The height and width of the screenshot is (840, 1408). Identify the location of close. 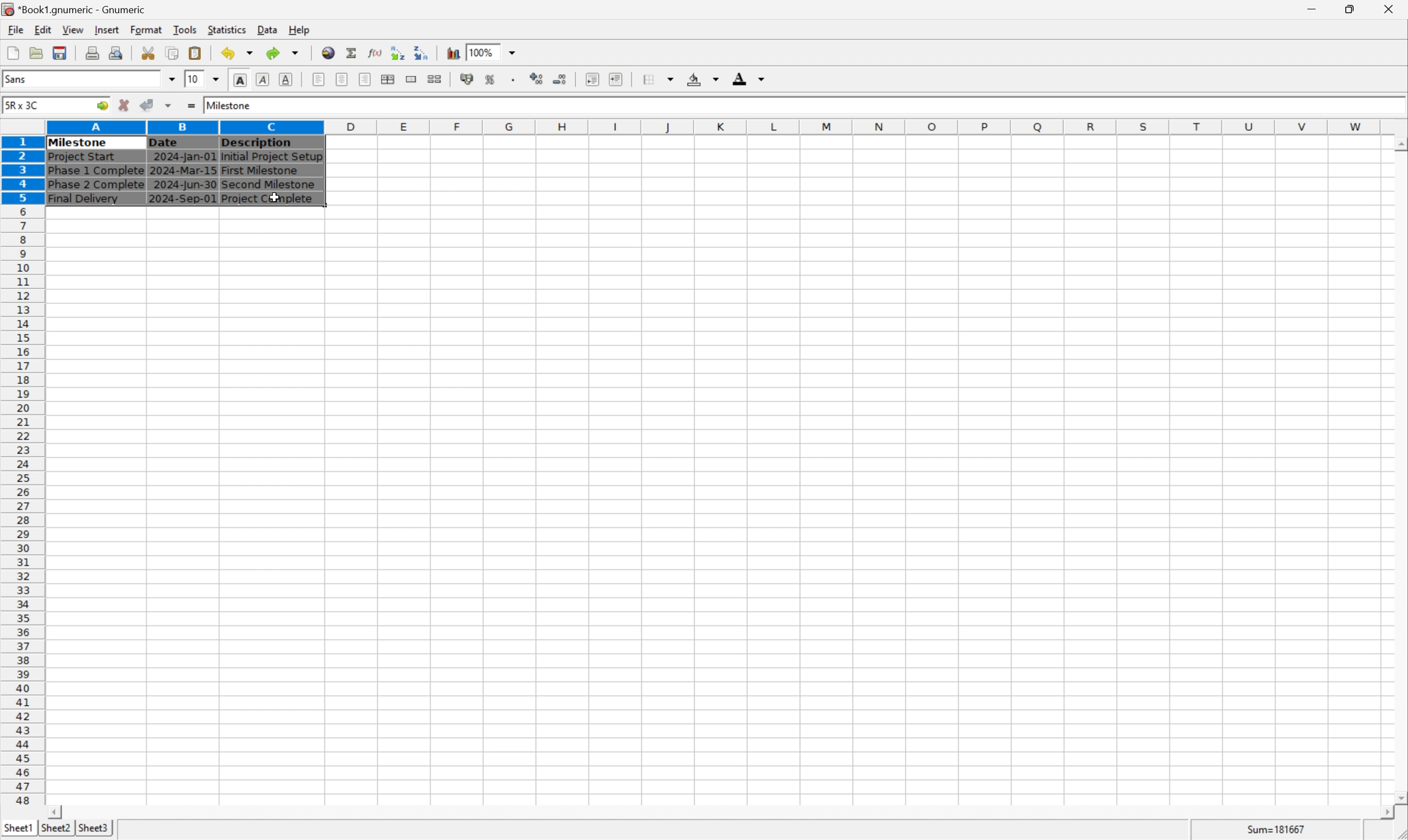
(1390, 7).